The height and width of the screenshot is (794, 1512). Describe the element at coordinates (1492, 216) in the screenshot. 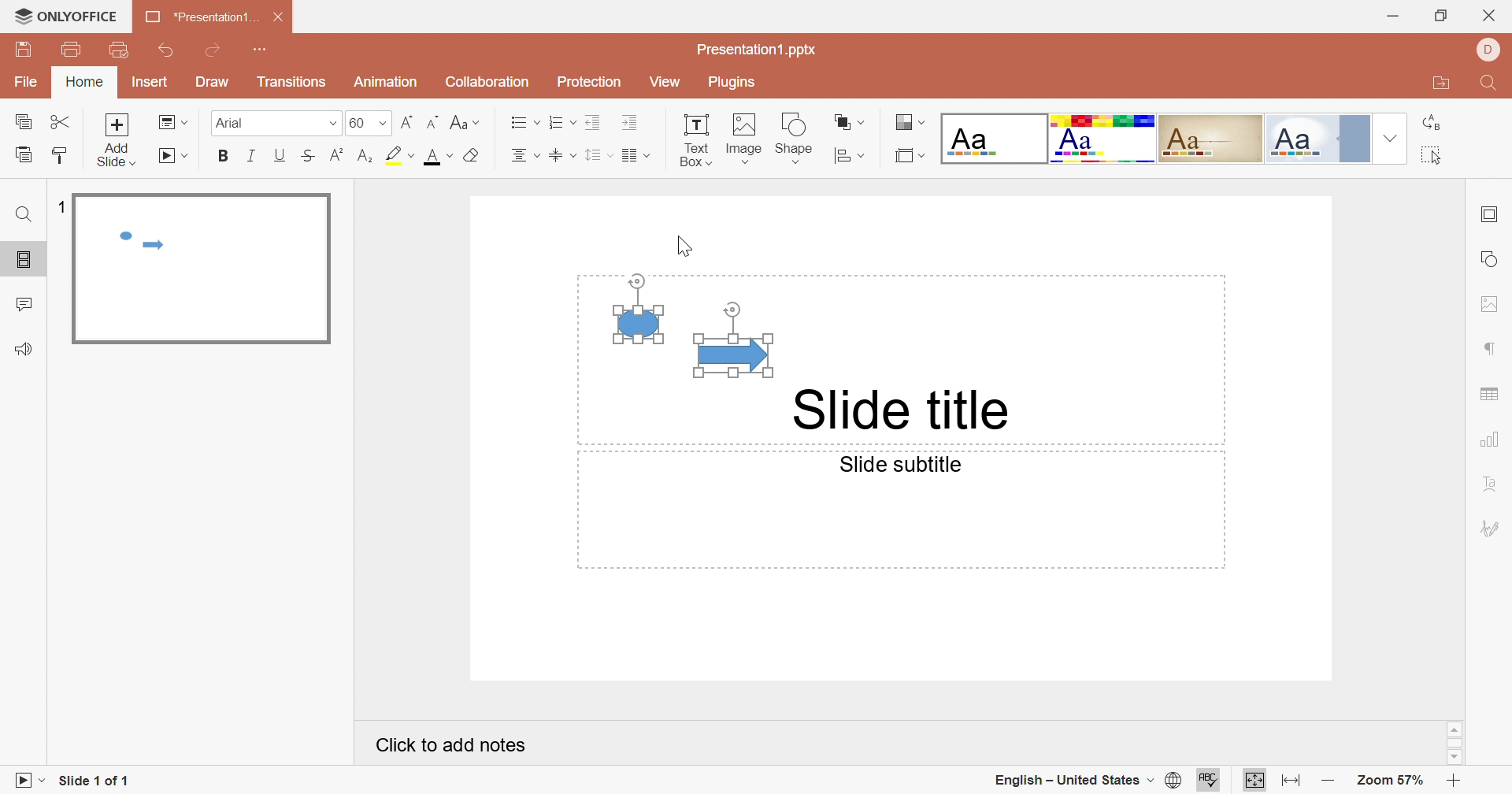

I see `slide settings` at that location.